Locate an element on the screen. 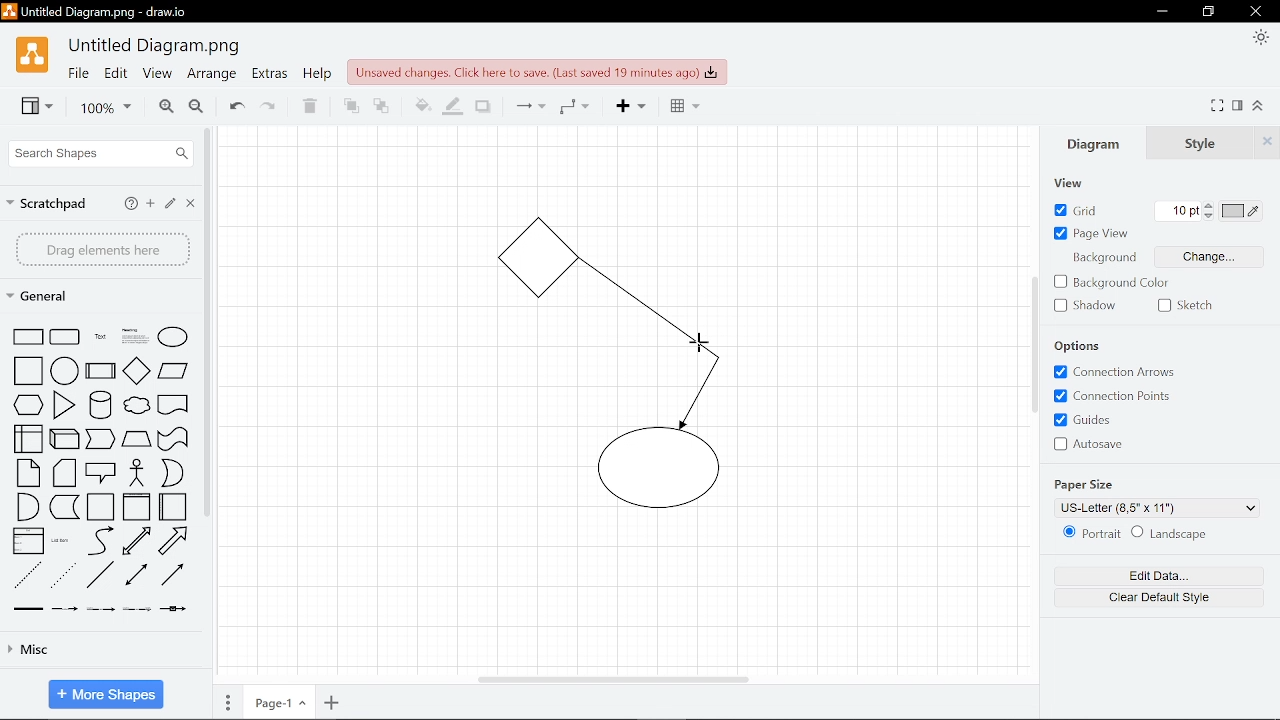 The image size is (1280, 720). vertical scroll bar is located at coordinates (1032, 342).